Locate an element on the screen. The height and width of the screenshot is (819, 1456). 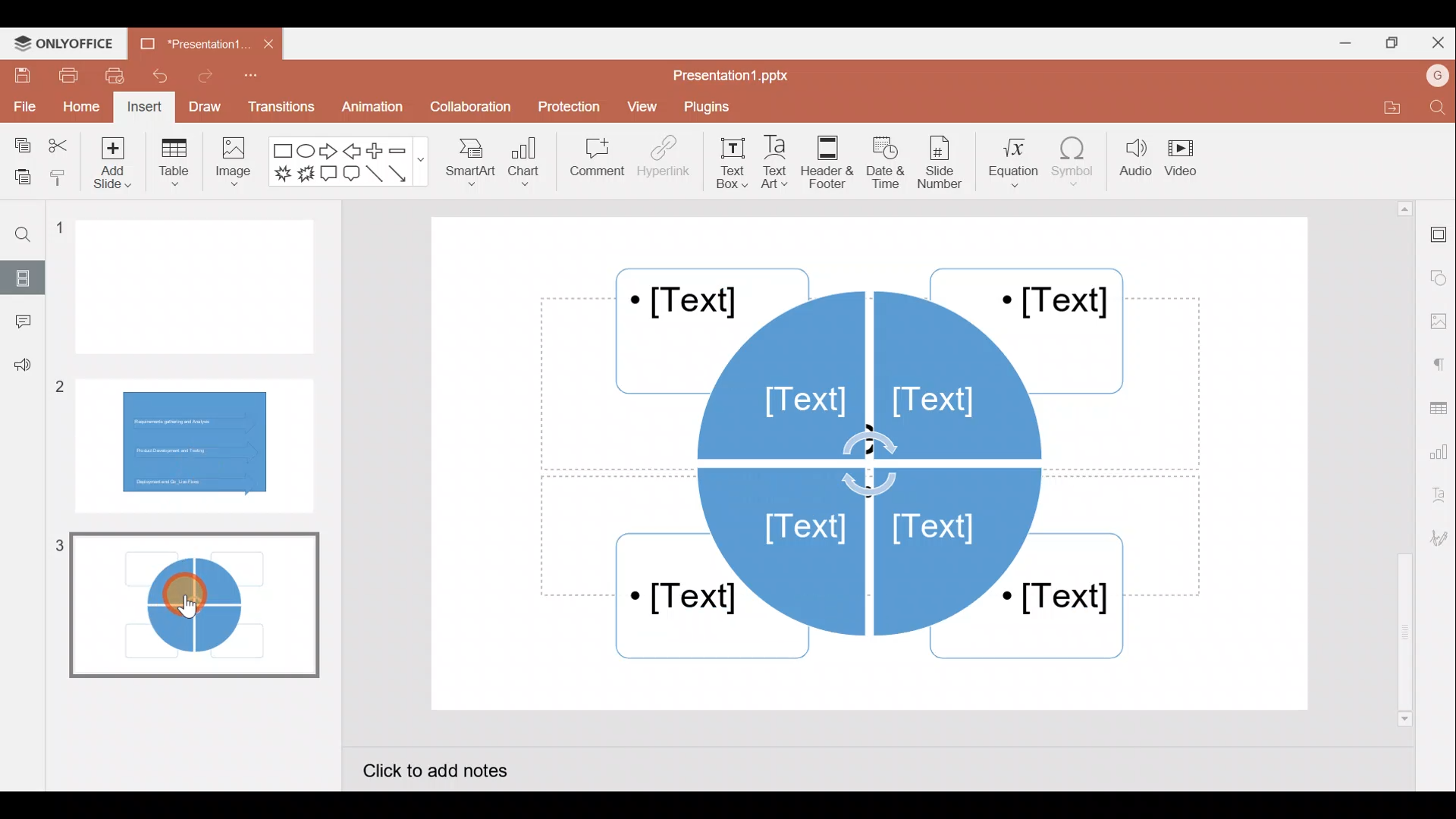
Image settings is located at coordinates (1437, 318).